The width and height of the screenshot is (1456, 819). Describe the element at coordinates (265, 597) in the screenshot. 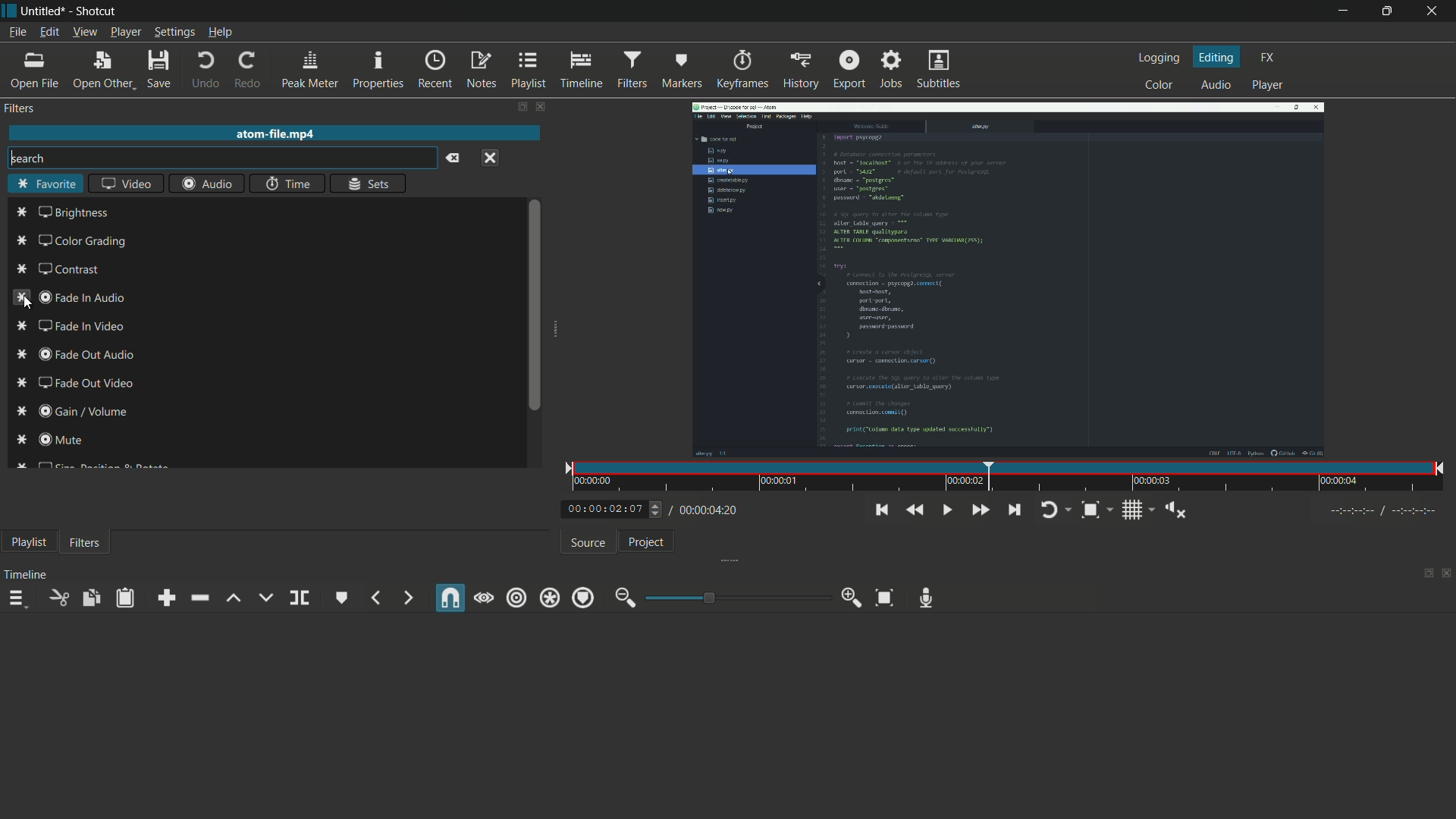

I see `overwrite` at that location.